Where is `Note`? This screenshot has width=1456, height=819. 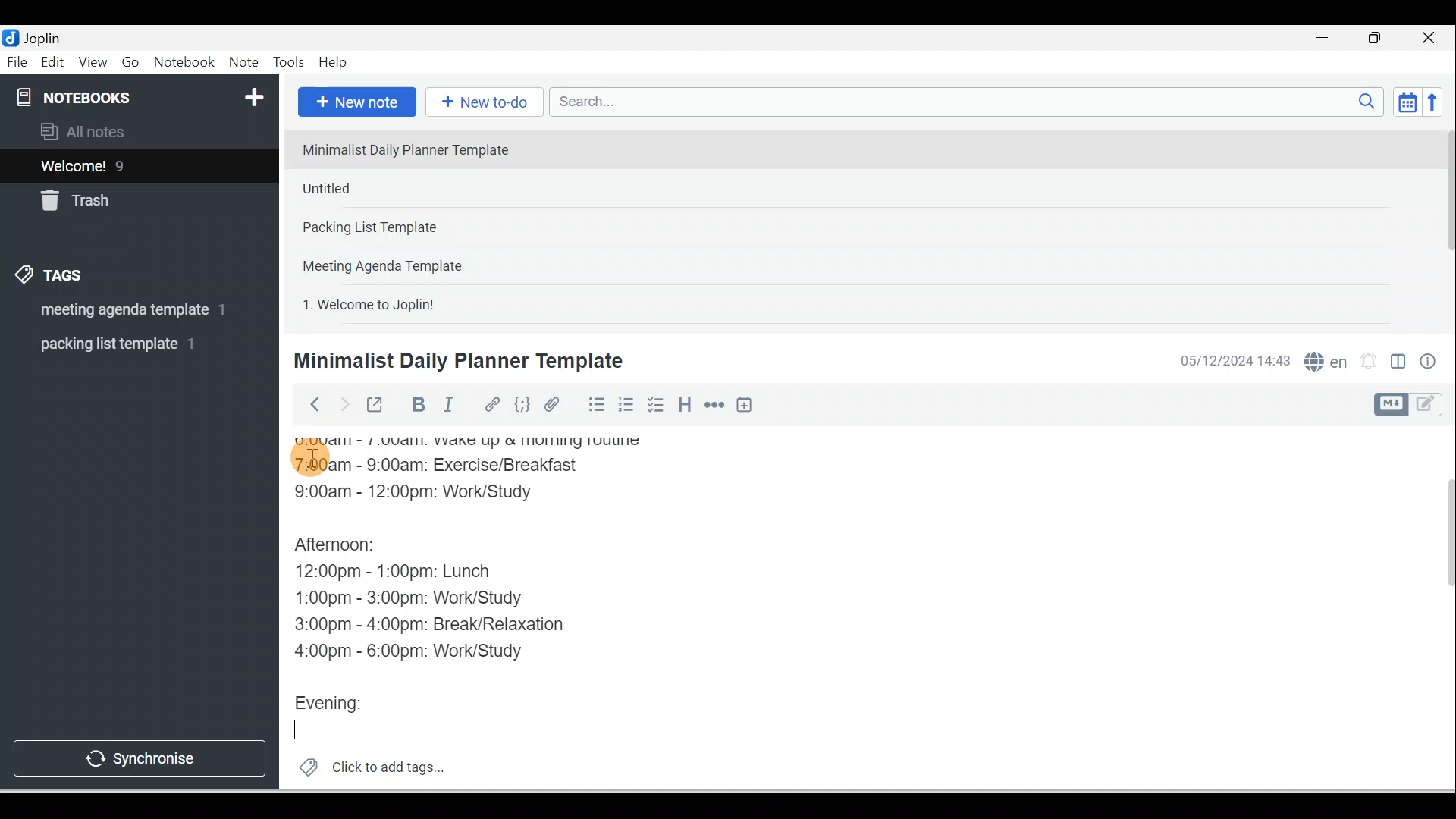
Note is located at coordinates (242, 63).